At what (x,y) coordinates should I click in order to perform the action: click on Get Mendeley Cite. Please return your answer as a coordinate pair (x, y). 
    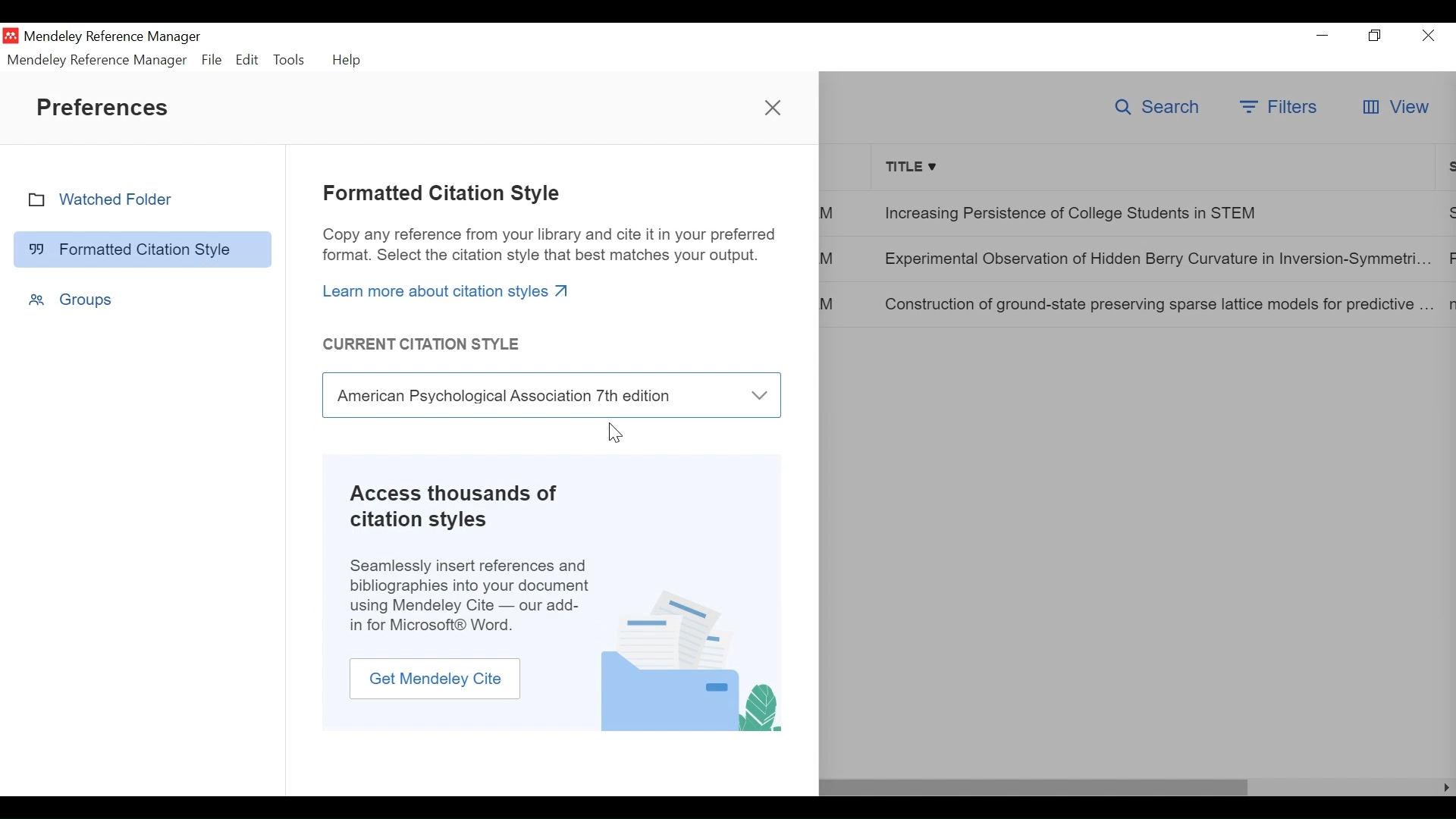
    Looking at the image, I should click on (436, 679).